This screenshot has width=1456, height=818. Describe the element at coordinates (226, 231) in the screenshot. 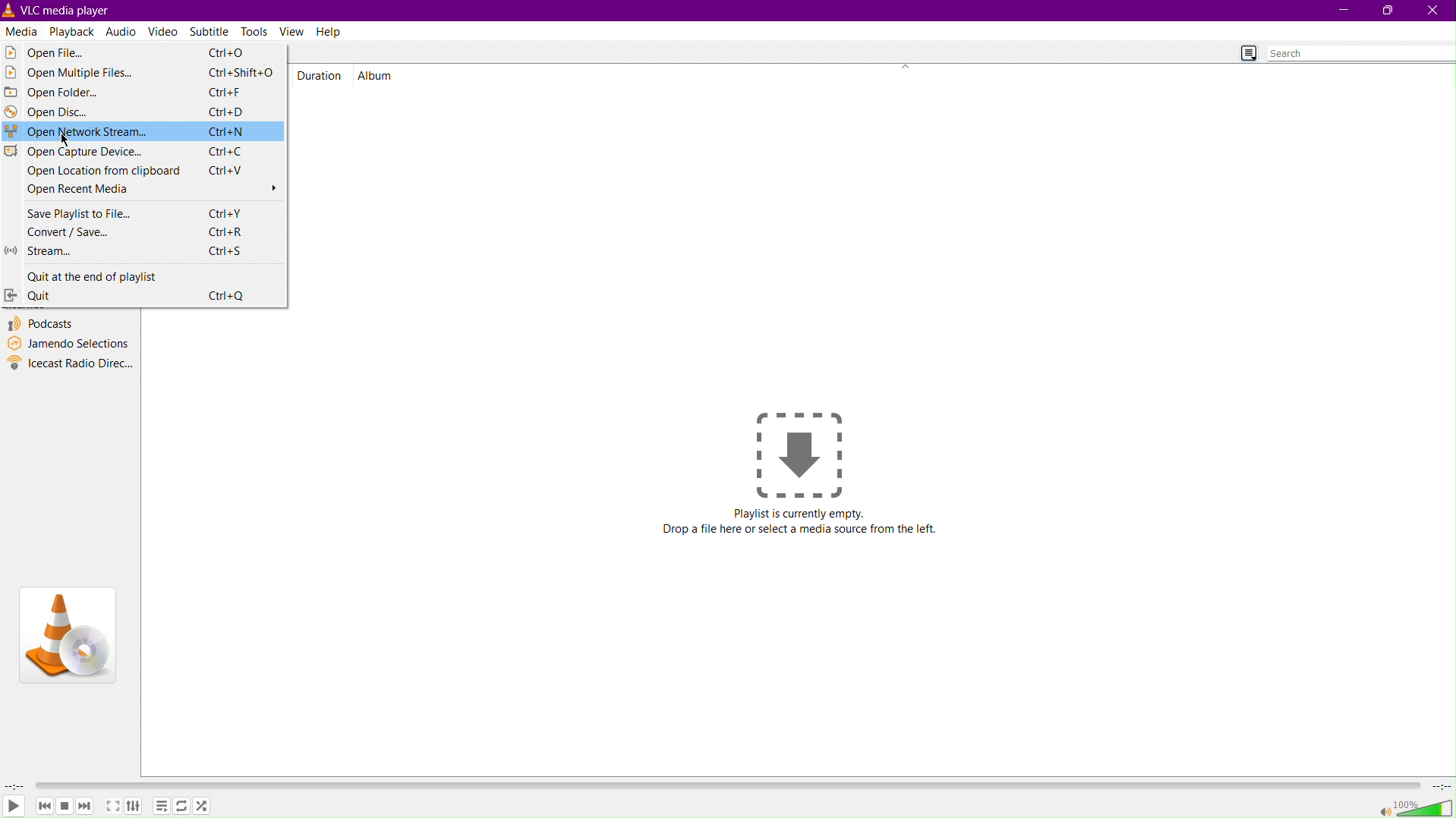

I see `Ctrl+R` at that location.